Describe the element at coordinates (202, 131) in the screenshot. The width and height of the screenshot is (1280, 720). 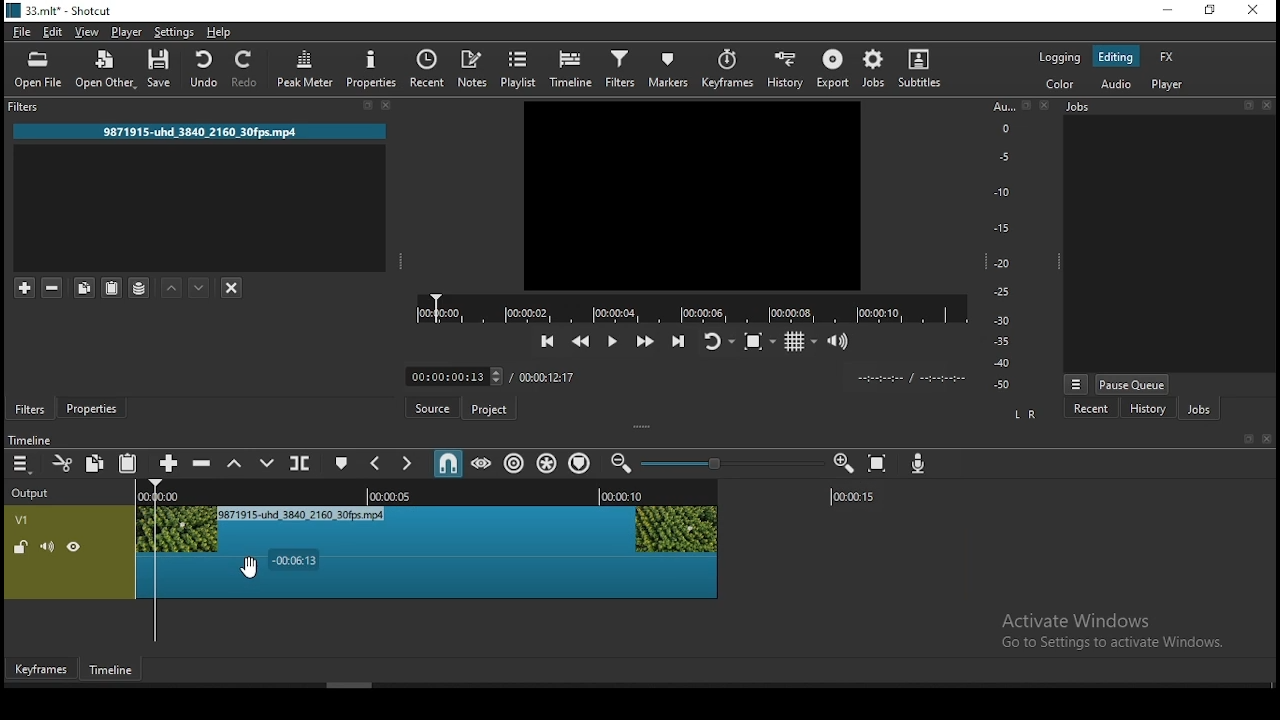
I see `9871915-uhd 3840 2160_30fps.mp4` at that location.